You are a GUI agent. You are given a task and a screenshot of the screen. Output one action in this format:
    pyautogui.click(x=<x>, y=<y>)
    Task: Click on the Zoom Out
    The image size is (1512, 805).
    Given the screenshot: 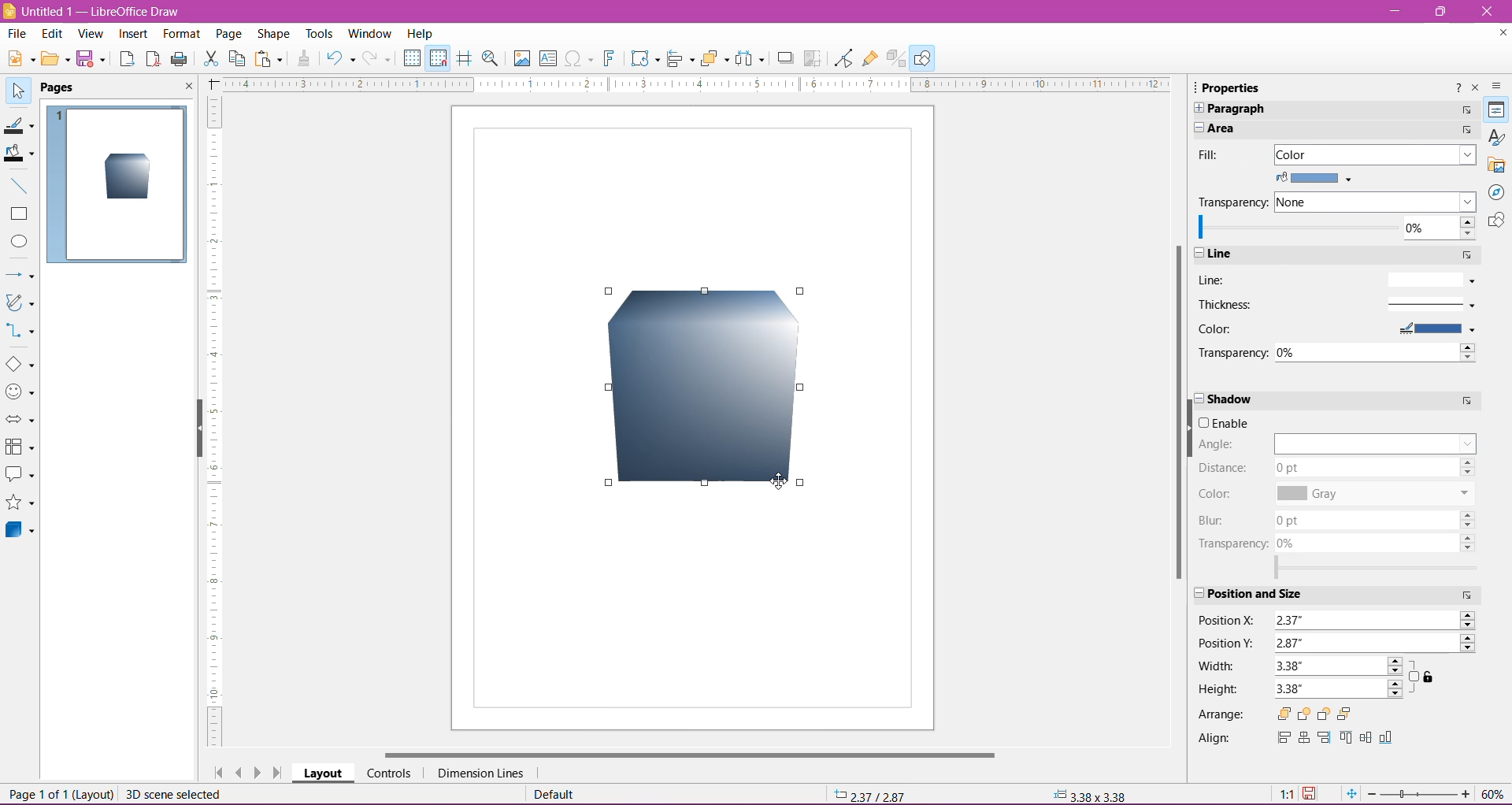 What is the action you would take?
    pyautogui.click(x=1371, y=794)
    